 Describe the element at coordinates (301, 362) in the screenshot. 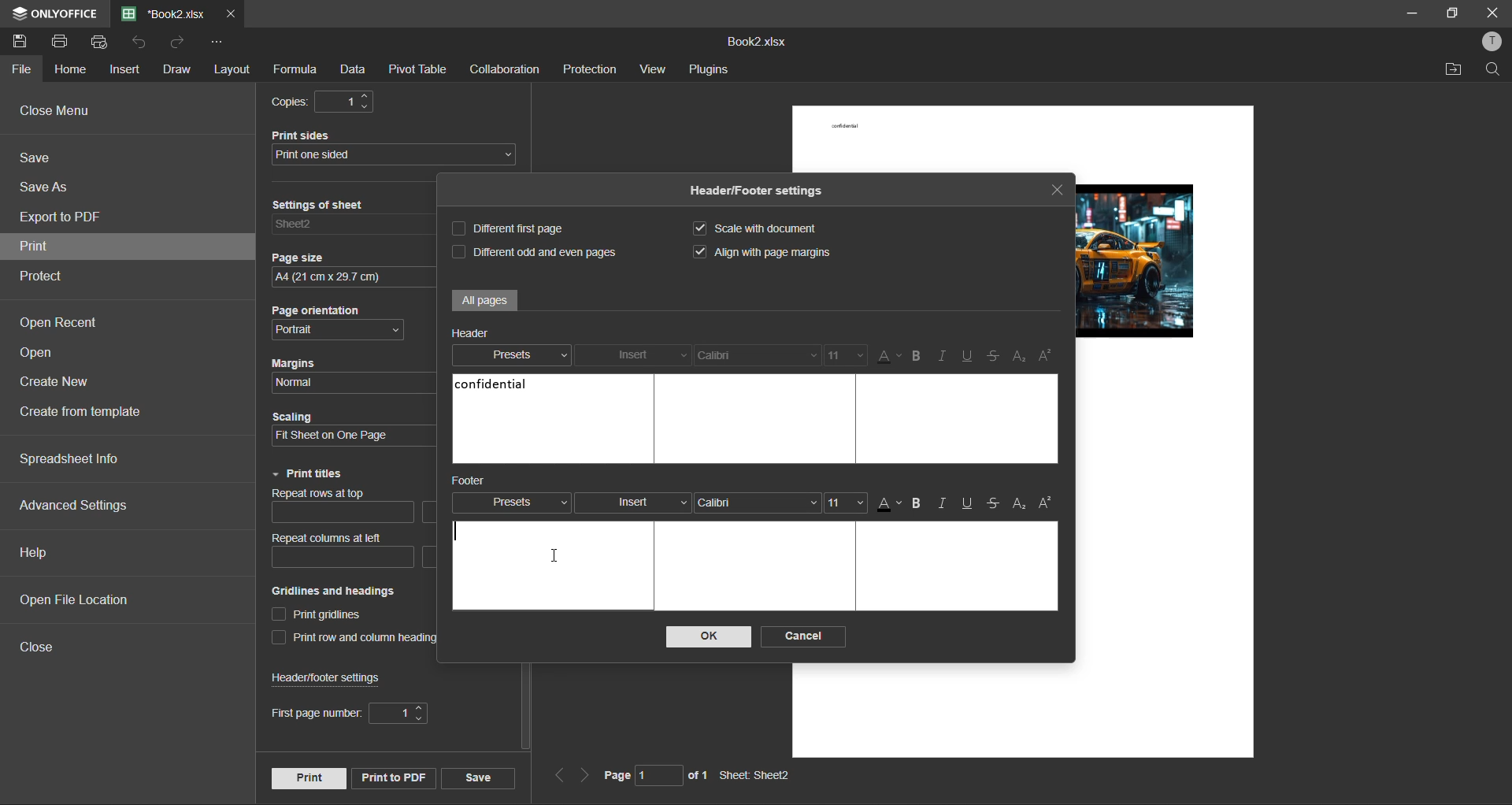

I see `Margins` at that location.